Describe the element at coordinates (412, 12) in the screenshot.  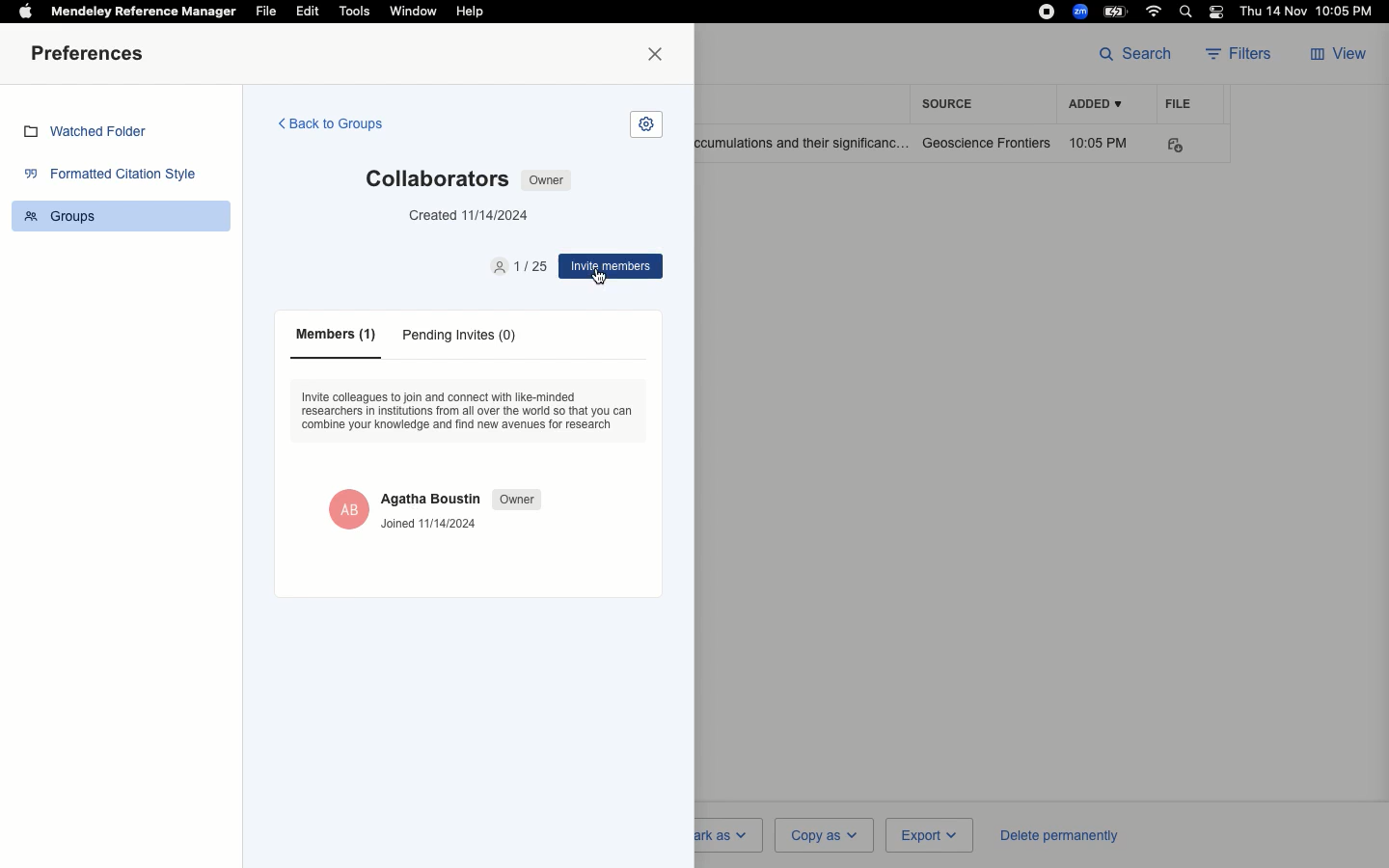
I see `Window` at that location.